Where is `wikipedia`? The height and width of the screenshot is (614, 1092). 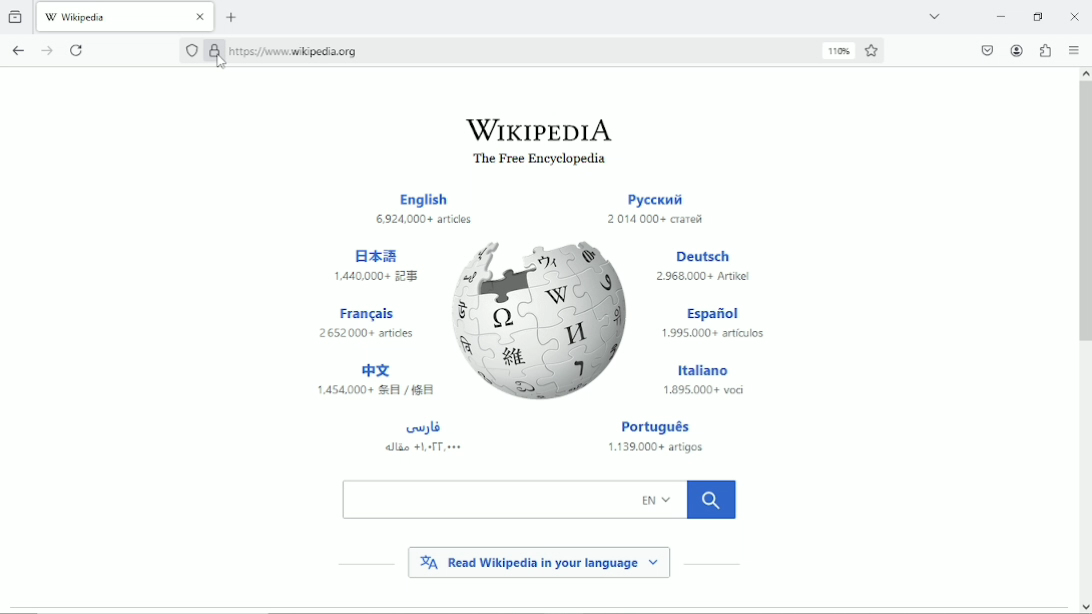 wikipedia is located at coordinates (538, 129).